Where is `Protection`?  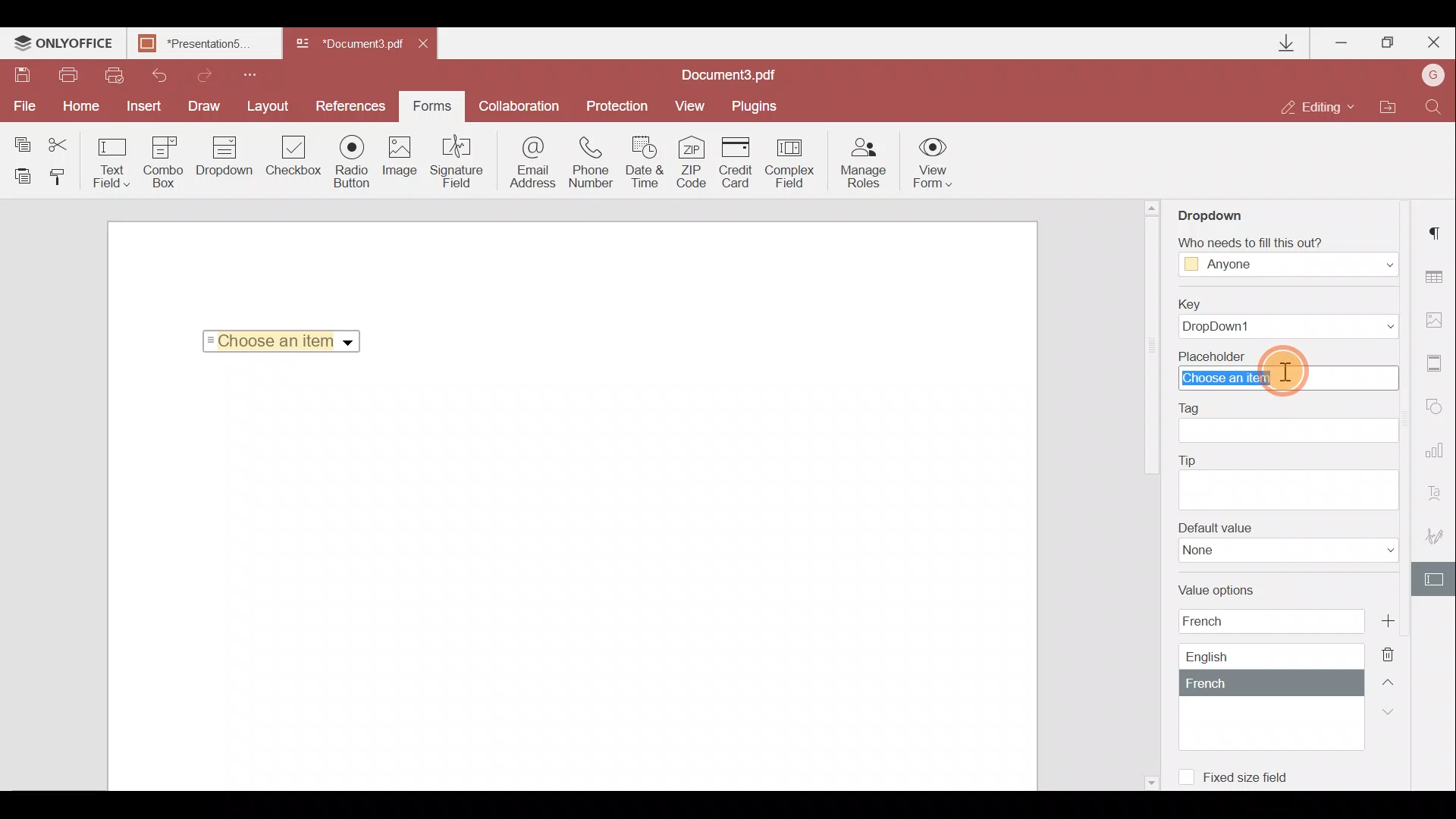 Protection is located at coordinates (615, 105).